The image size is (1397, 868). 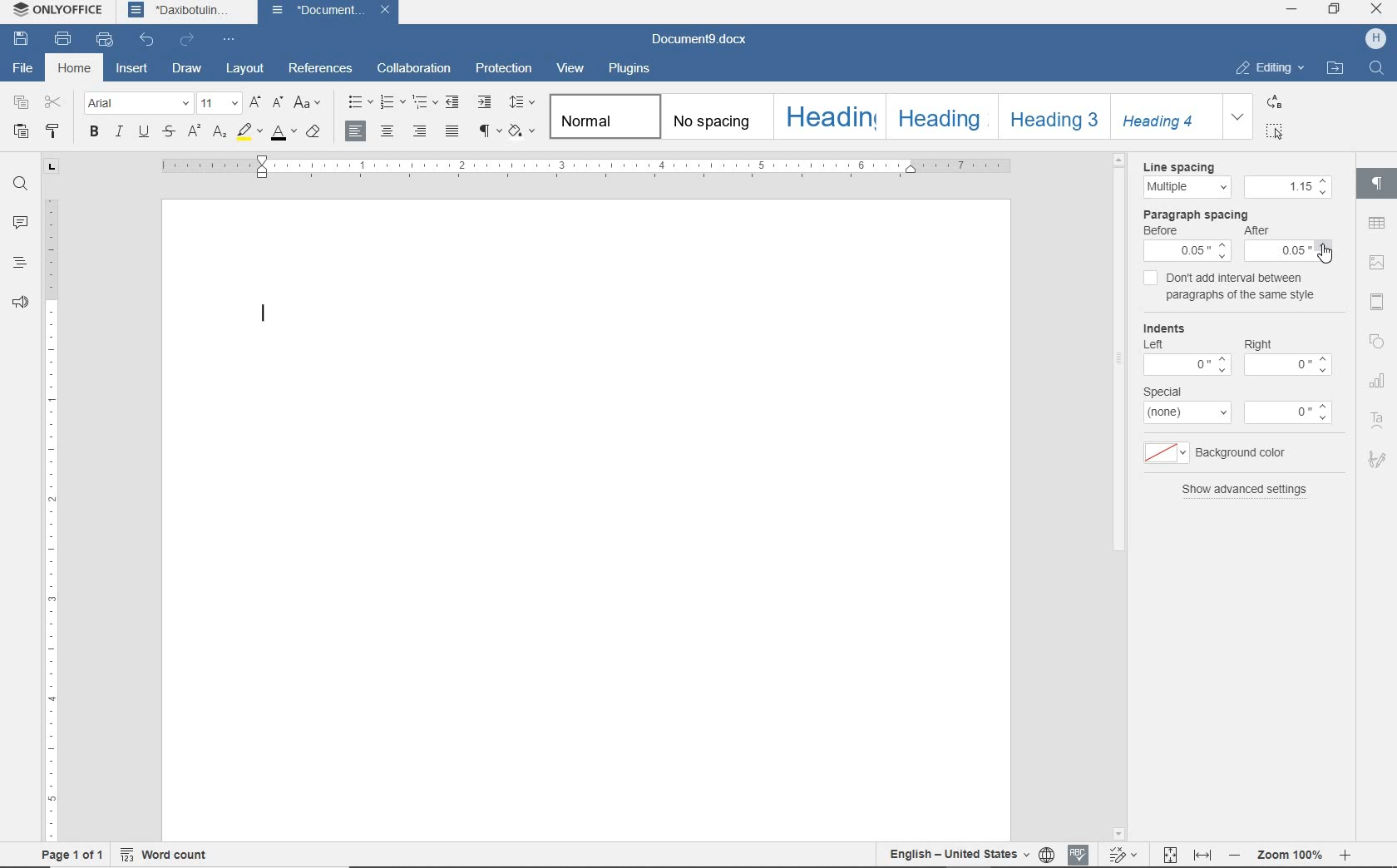 I want to click on Heading 2, so click(x=940, y=116).